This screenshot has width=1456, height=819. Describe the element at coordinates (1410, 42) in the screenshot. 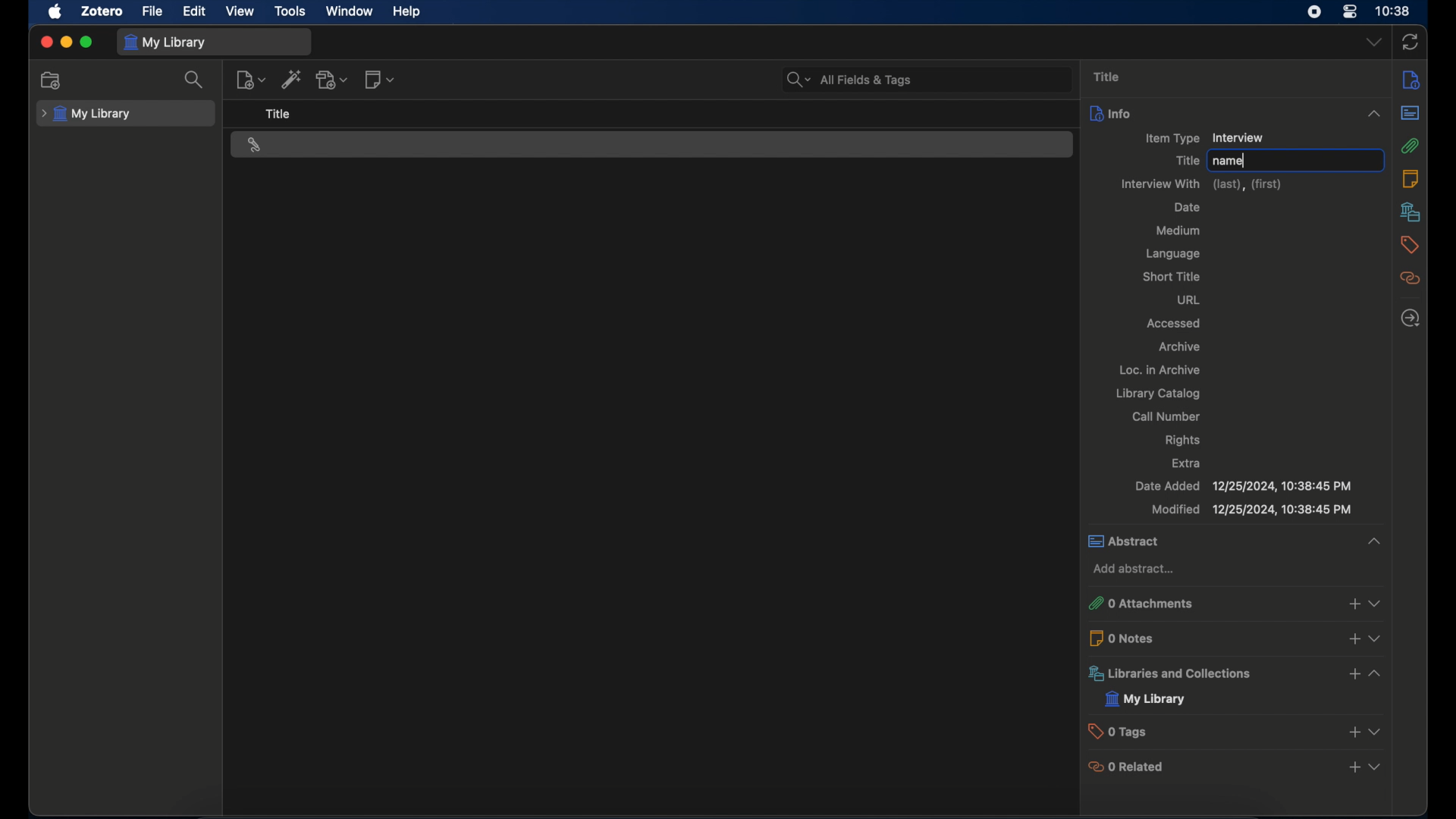

I see `sync` at that location.